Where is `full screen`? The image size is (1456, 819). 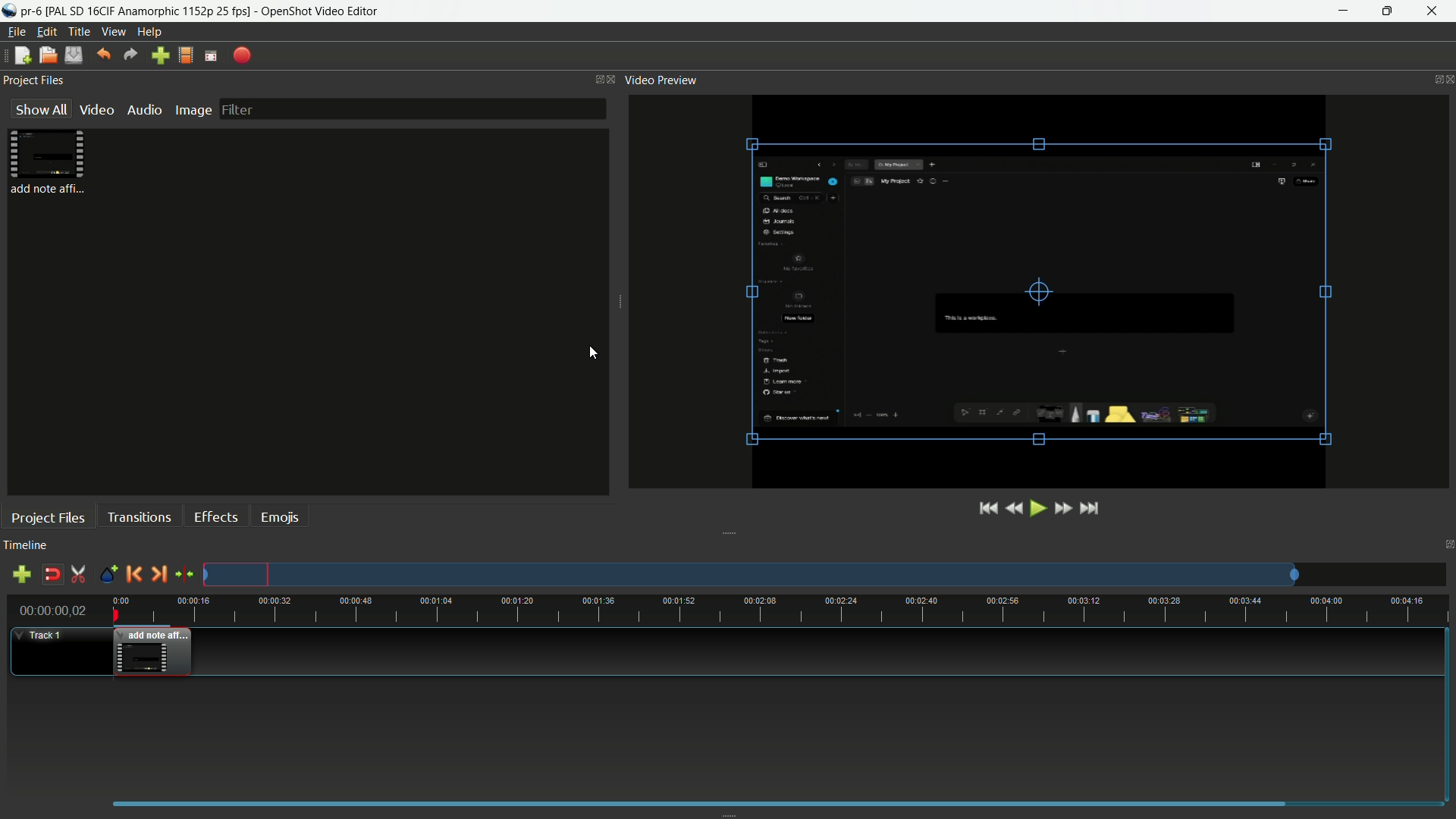
full screen is located at coordinates (211, 56).